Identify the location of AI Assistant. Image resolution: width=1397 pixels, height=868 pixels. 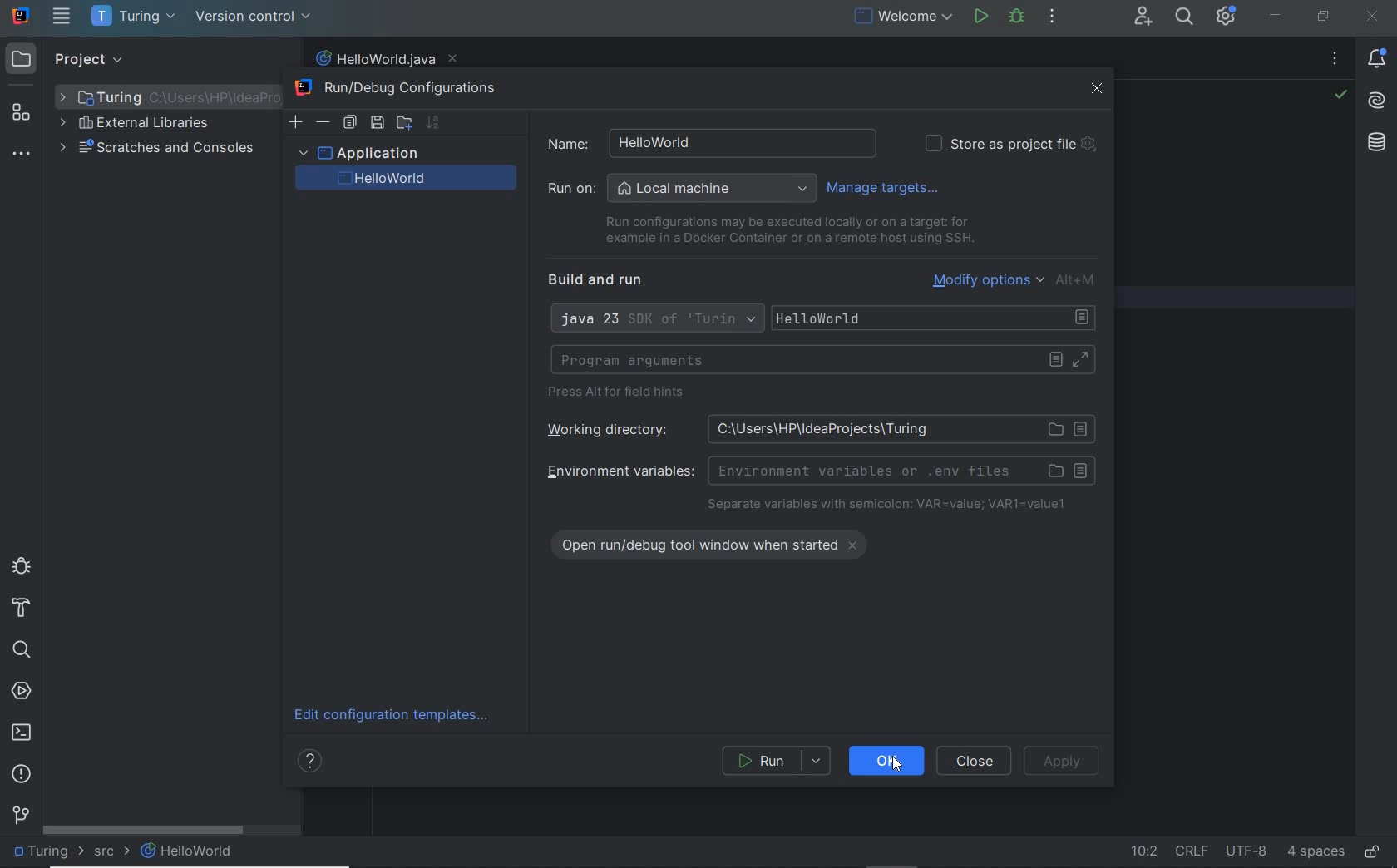
(1377, 104).